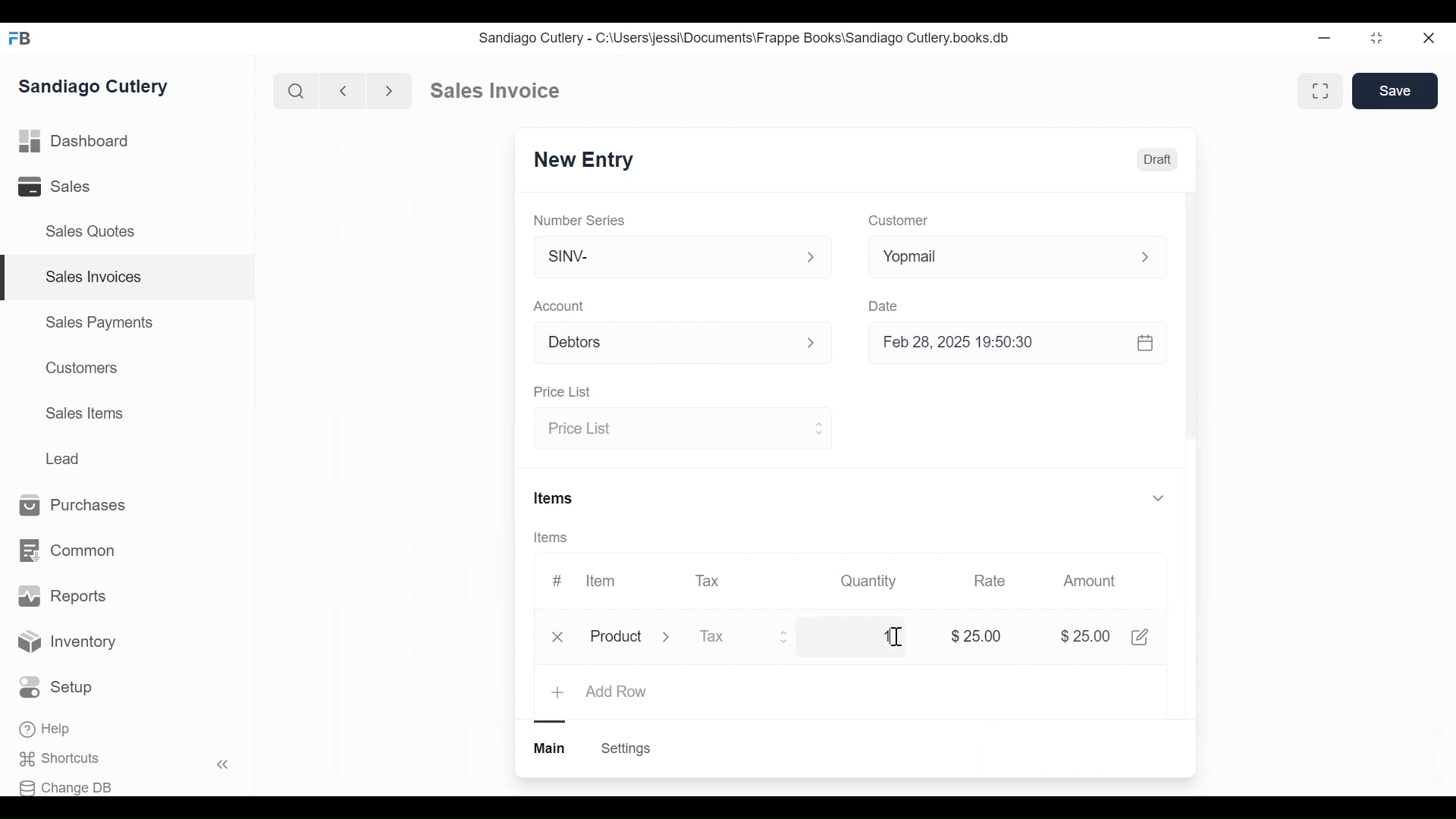 The image size is (1456, 819). I want to click on Price List, so click(566, 392).